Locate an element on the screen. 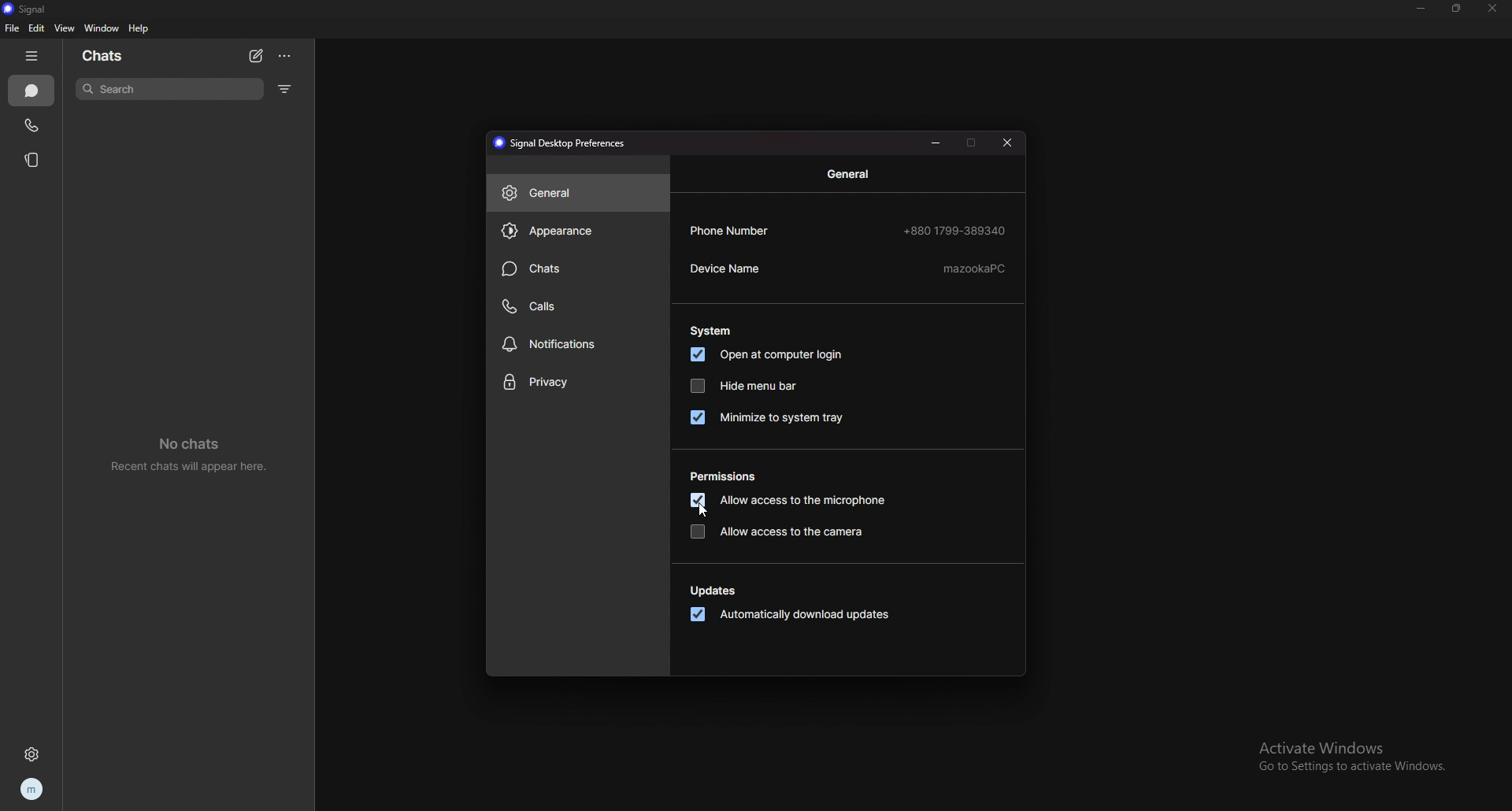  close is located at coordinates (1006, 143).